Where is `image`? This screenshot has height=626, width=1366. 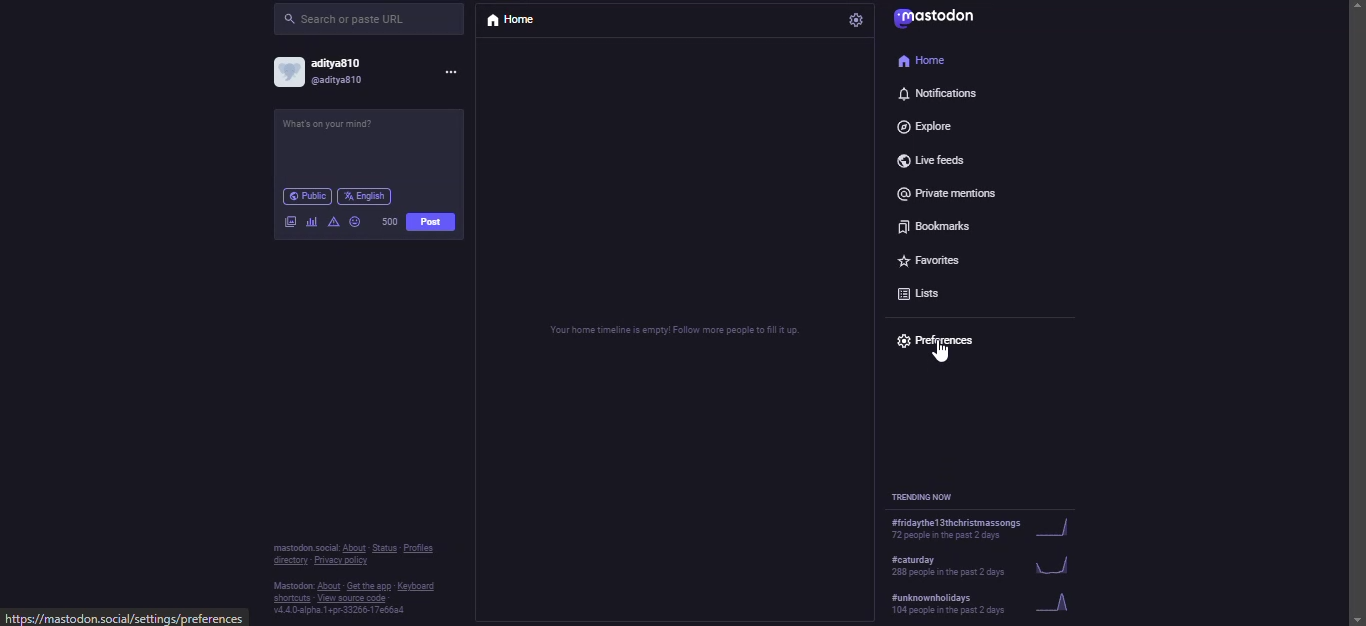
image is located at coordinates (292, 222).